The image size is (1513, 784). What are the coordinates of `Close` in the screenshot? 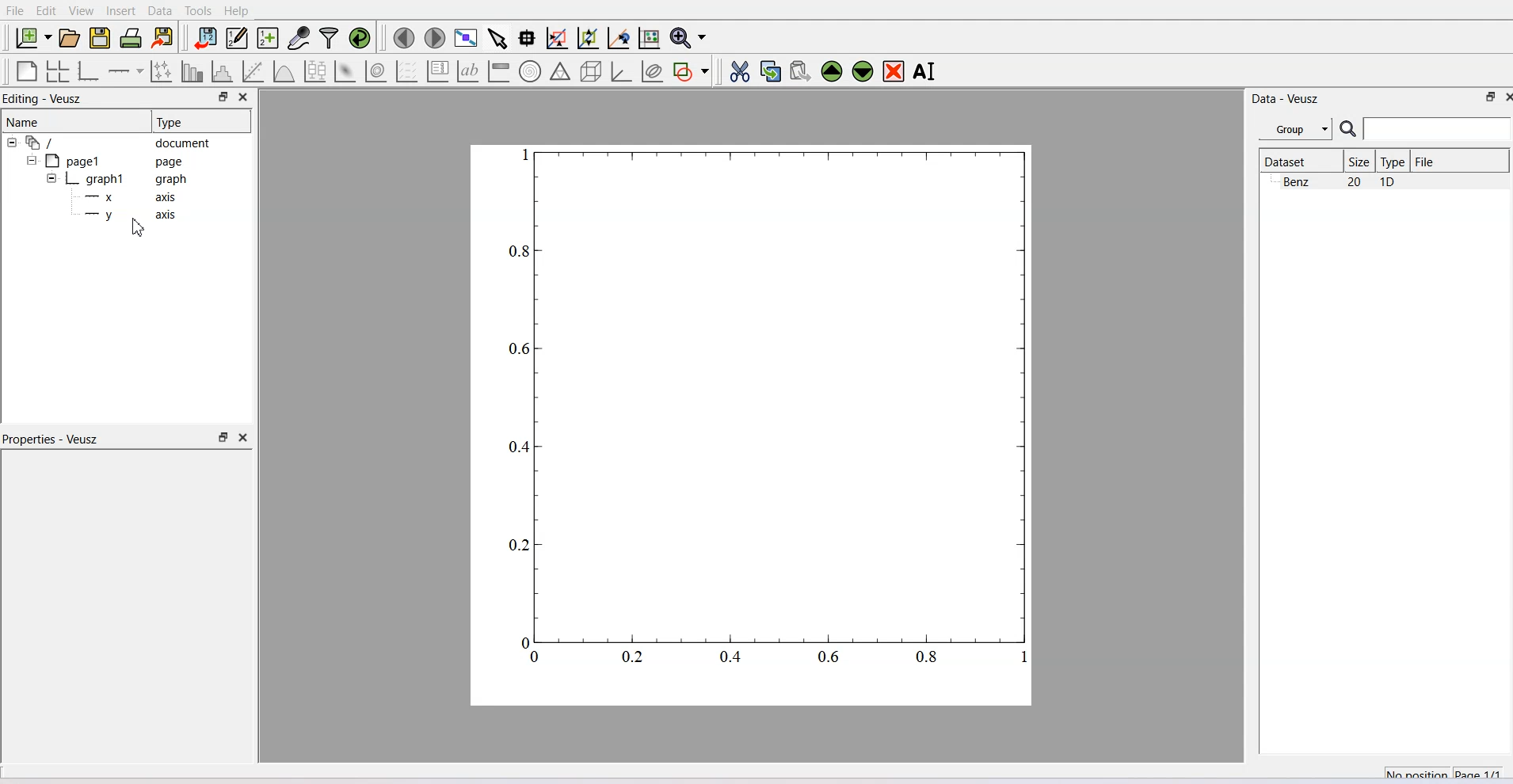 It's located at (244, 438).